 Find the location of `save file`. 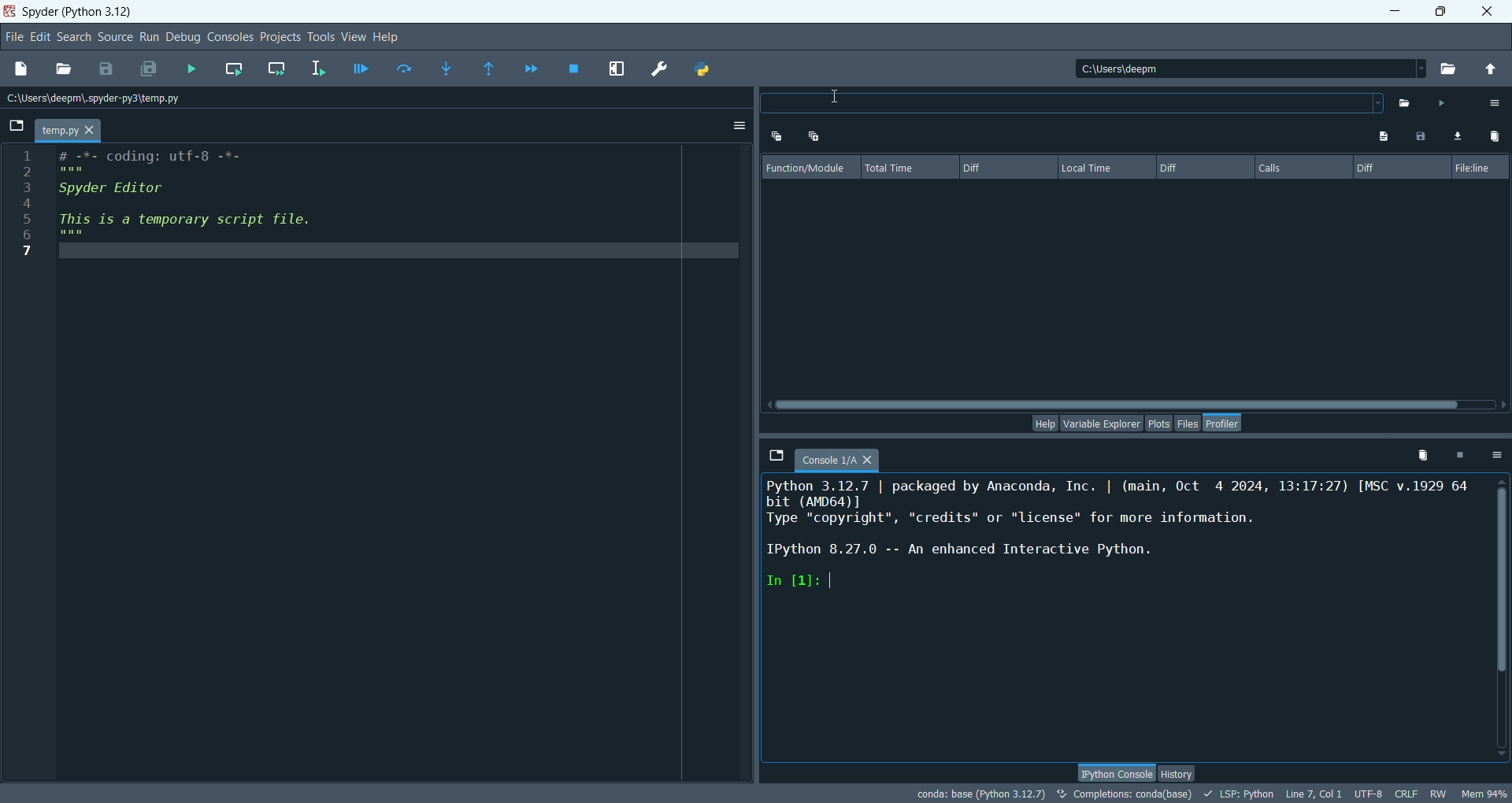

save file is located at coordinates (106, 68).